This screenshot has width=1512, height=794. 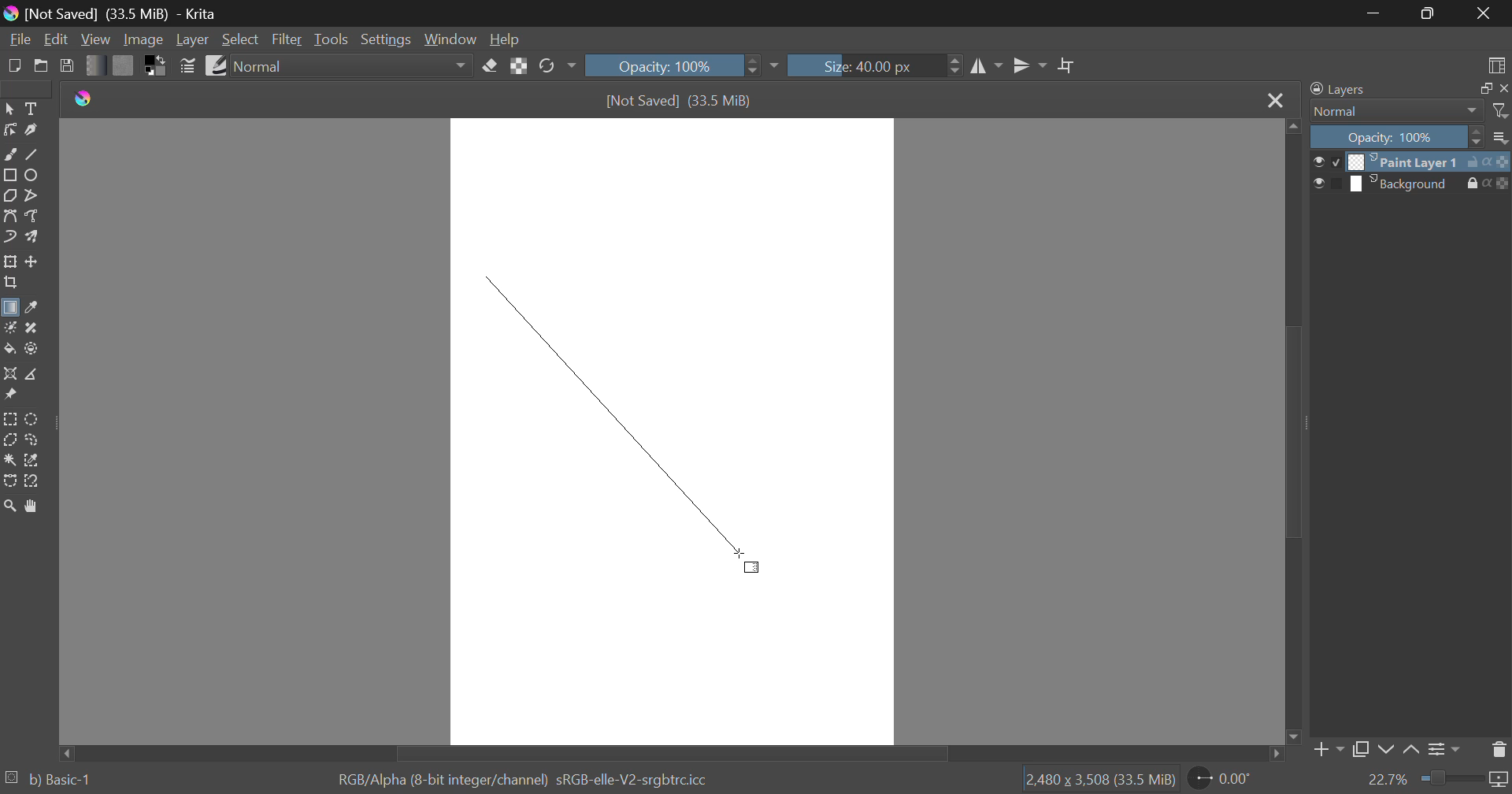 I want to click on Tools, so click(x=331, y=39).